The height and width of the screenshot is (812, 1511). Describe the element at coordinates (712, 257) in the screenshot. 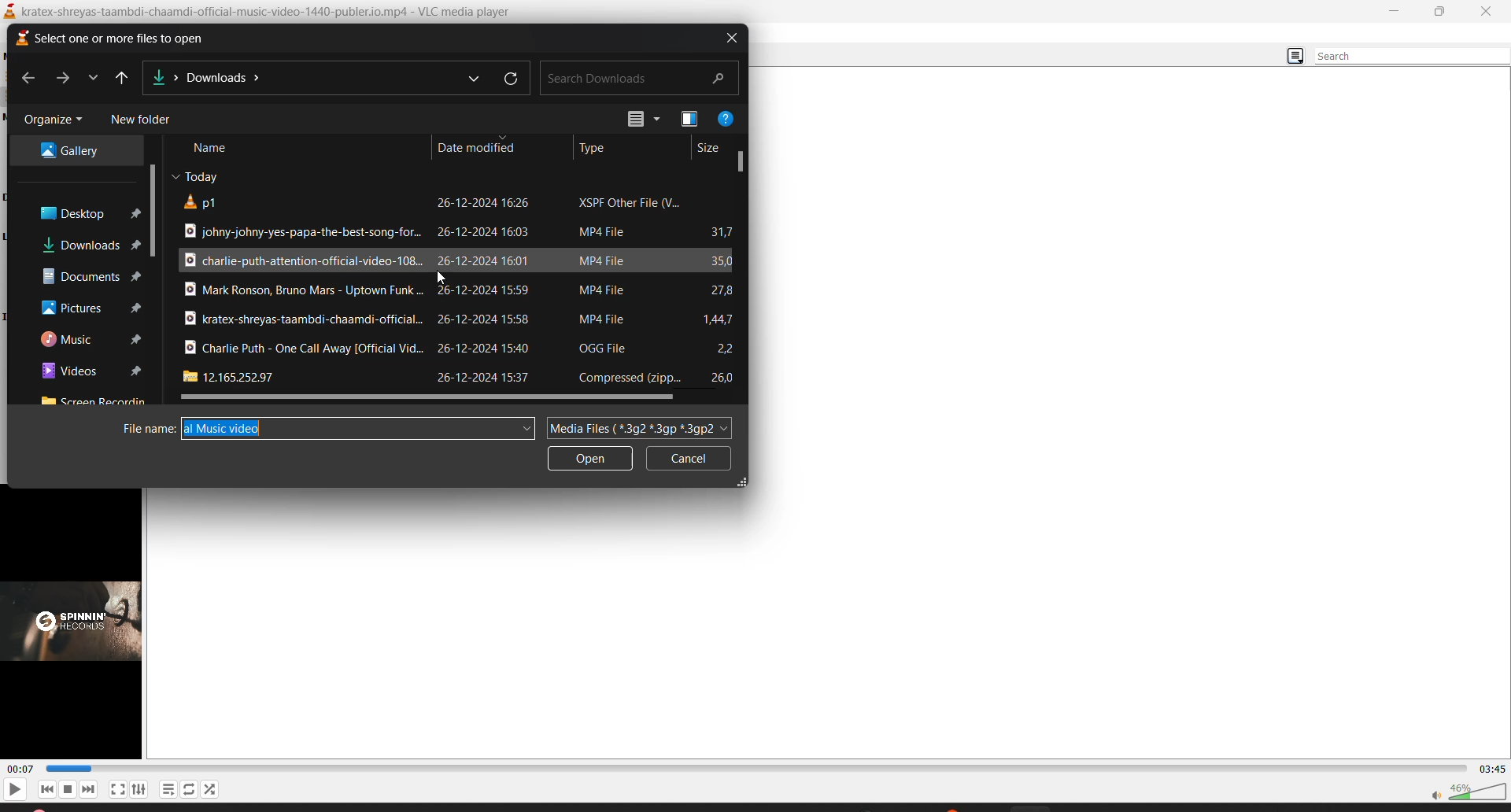

I see `file size` at that location.